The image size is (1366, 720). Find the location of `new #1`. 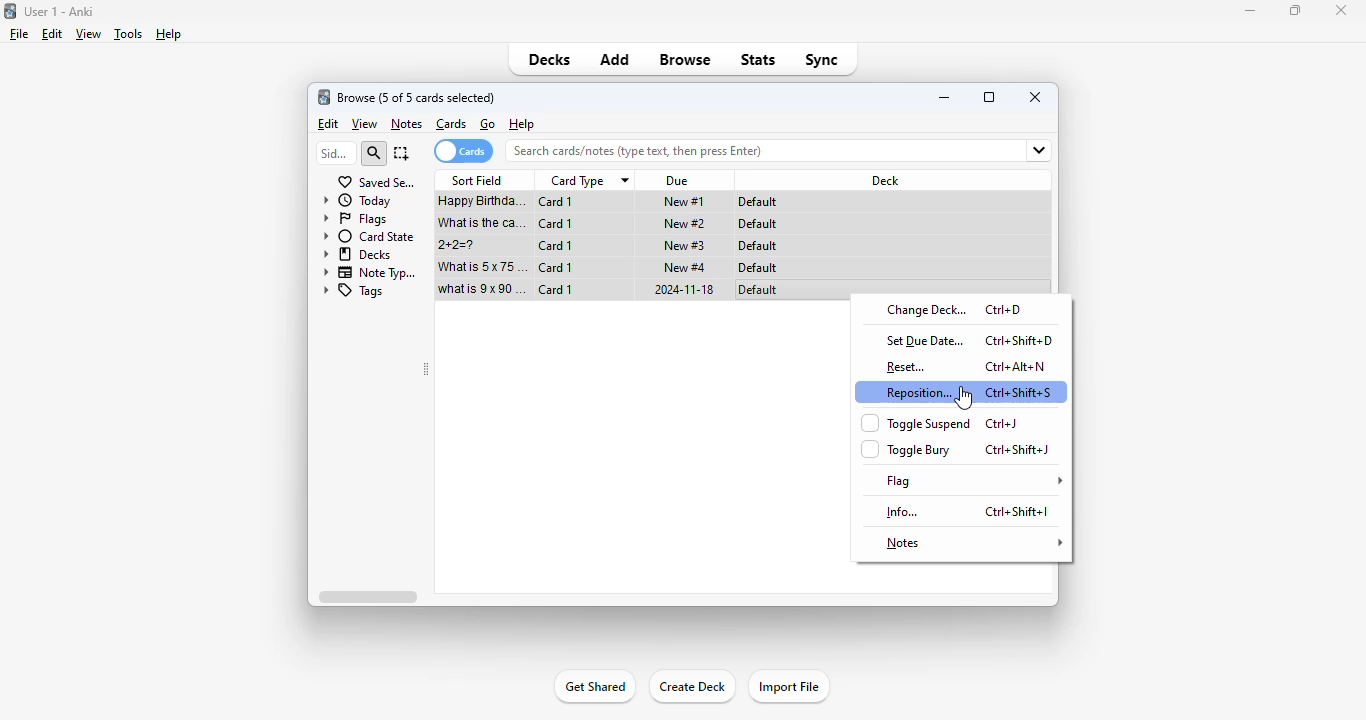

new #1 is located at coordinates (684, 201).